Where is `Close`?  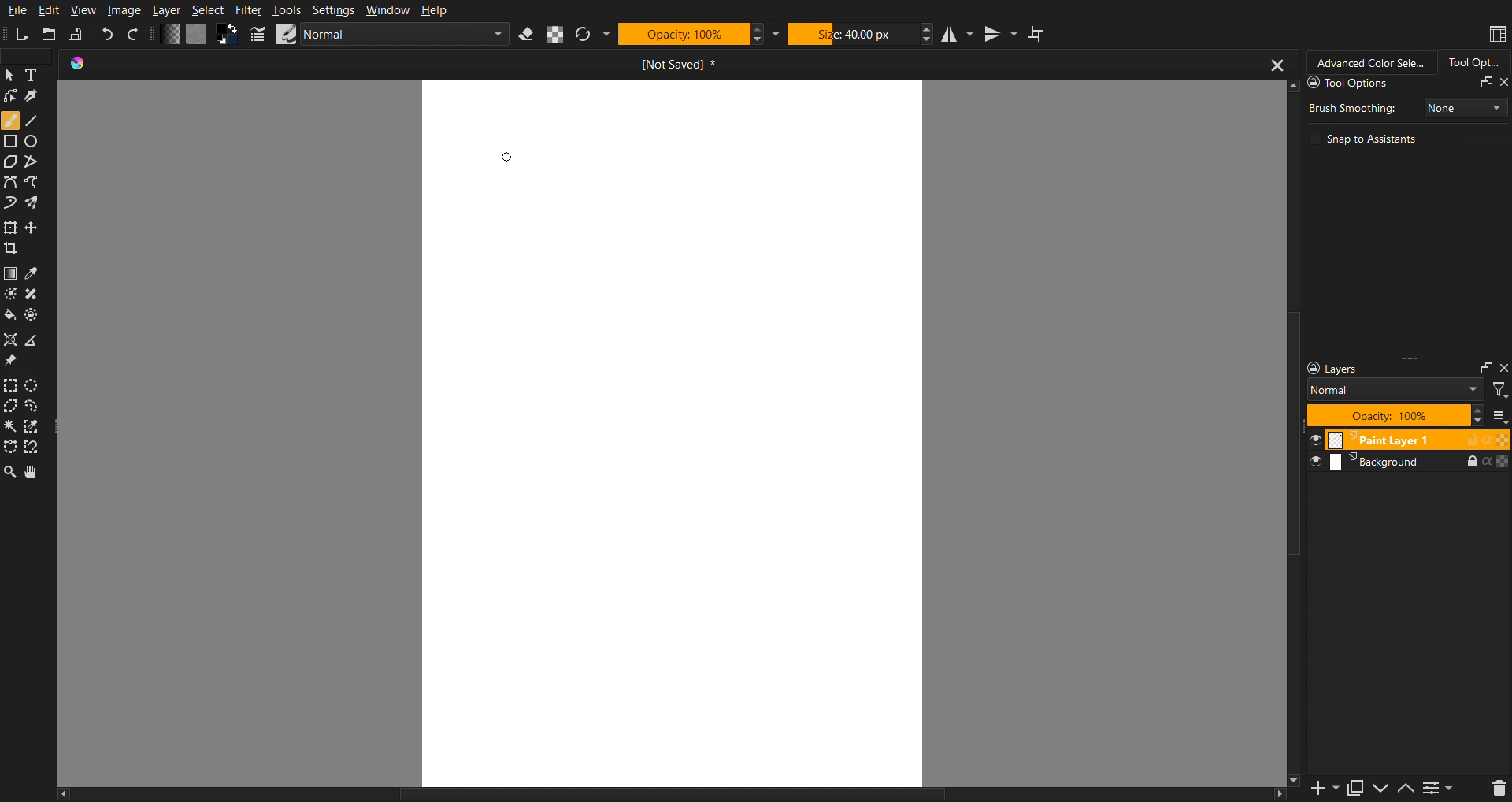
Close is located at coordinates (1503, 368).